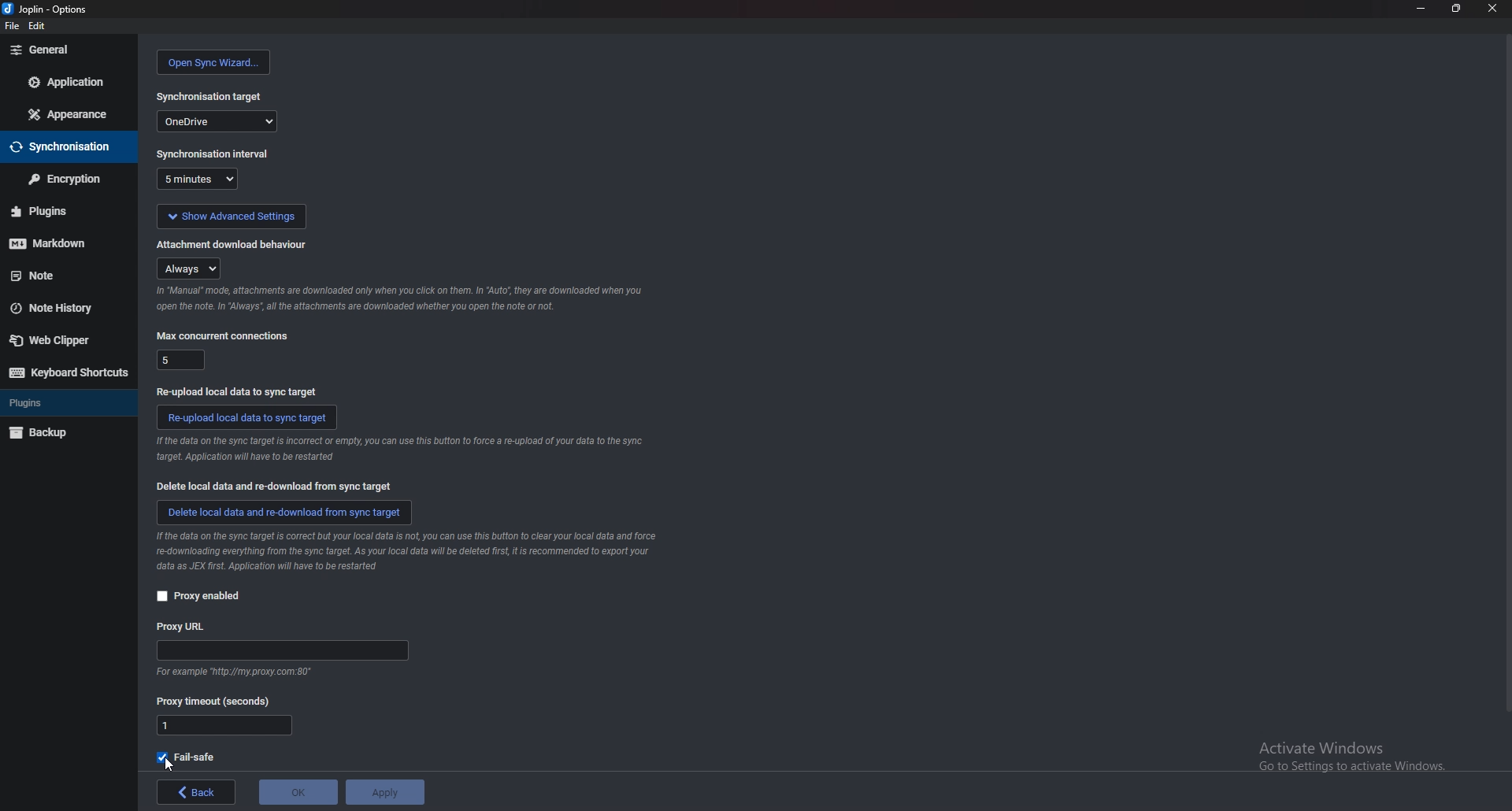 Image resolution: width=1512 pixels, height=811 pixels. I want to click on info, so click(398, 449).